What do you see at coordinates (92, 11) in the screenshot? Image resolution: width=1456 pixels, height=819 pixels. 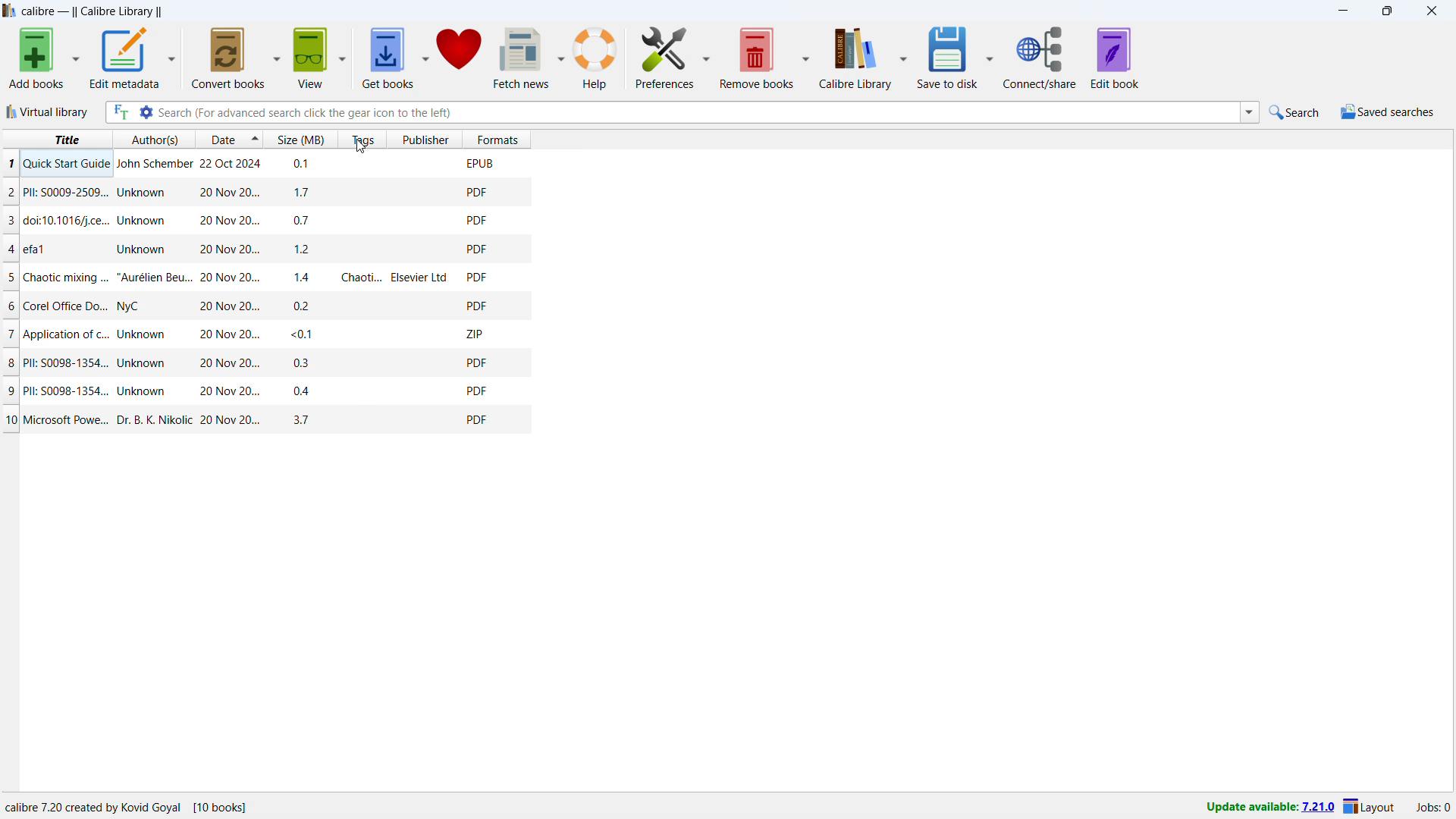 I see `title` at bounding box center [92, 11].